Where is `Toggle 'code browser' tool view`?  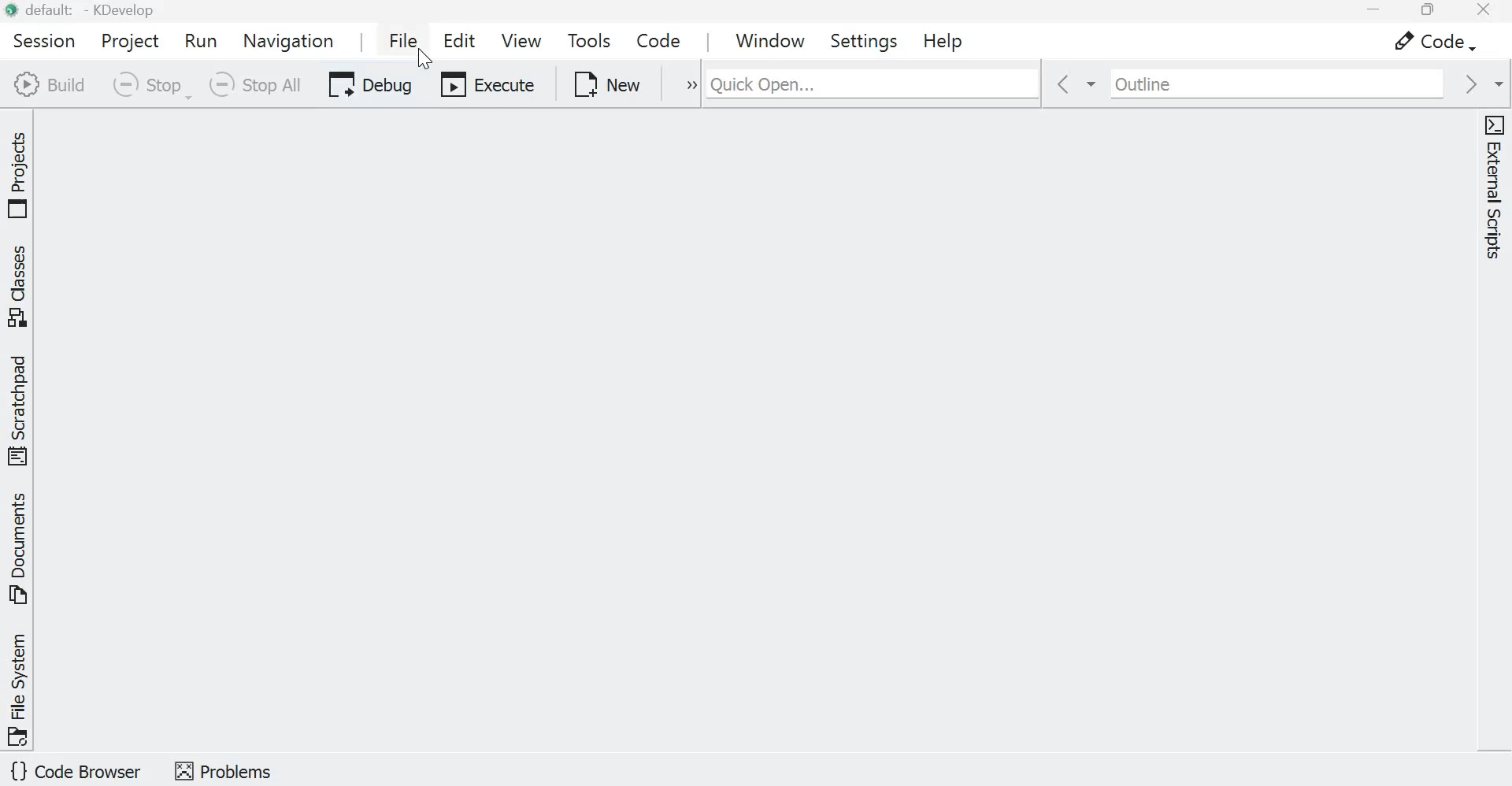 Toggle 'code browser' tool view is located at coordinates (77, 773).